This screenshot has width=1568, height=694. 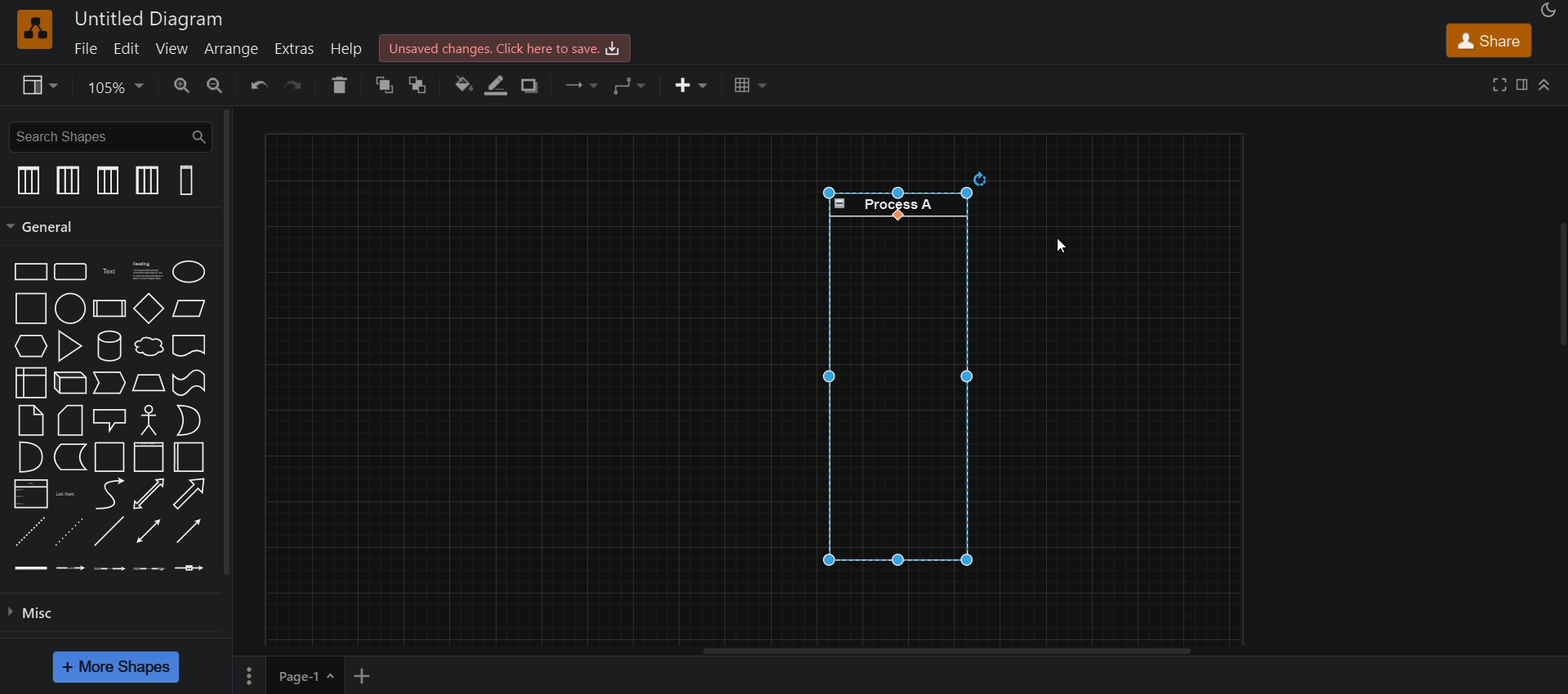 I want to click on more shapes, so click(x=121, y=665).